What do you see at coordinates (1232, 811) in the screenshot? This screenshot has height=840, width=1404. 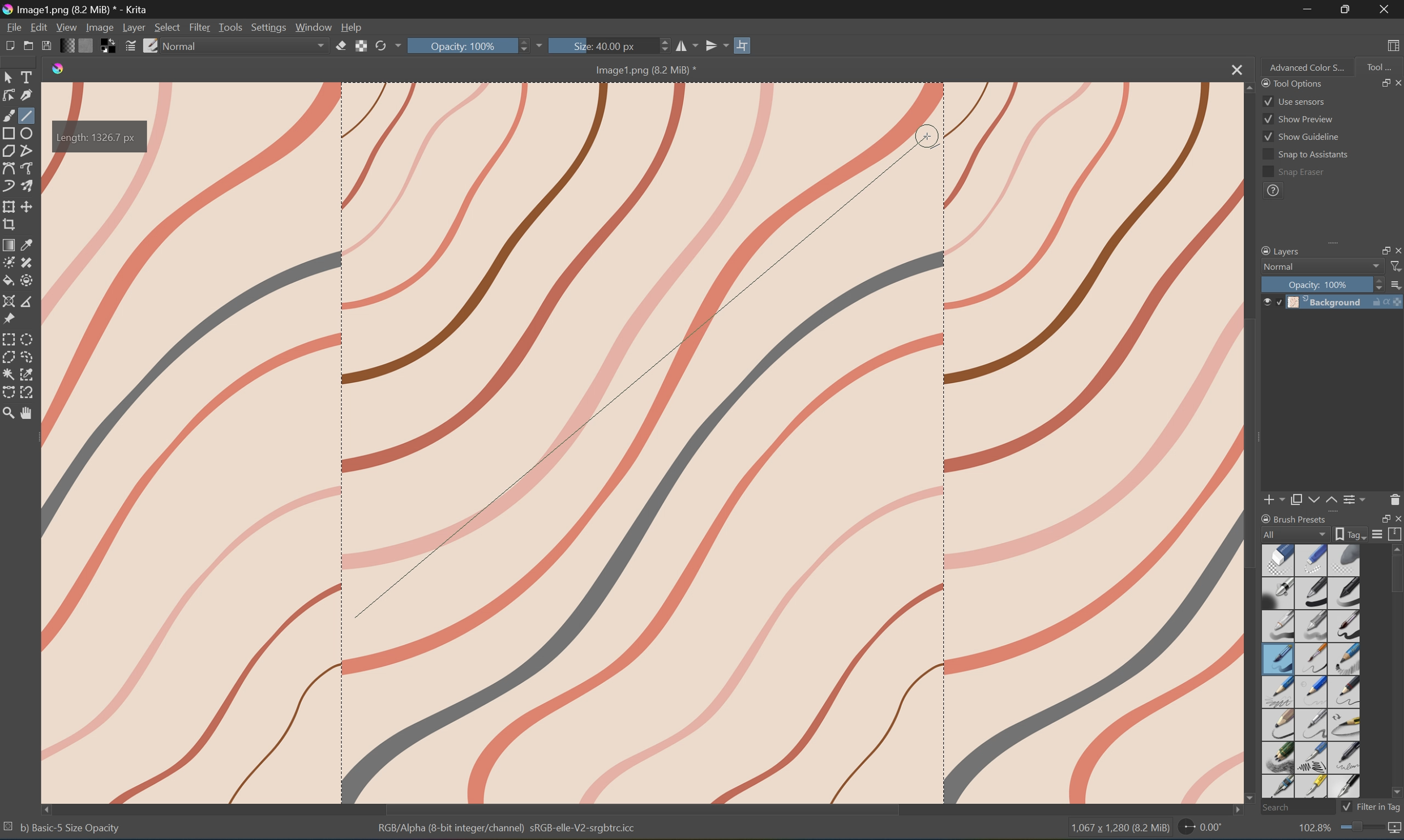 I see `Scroll Right` at bounding box center [1232, 811].